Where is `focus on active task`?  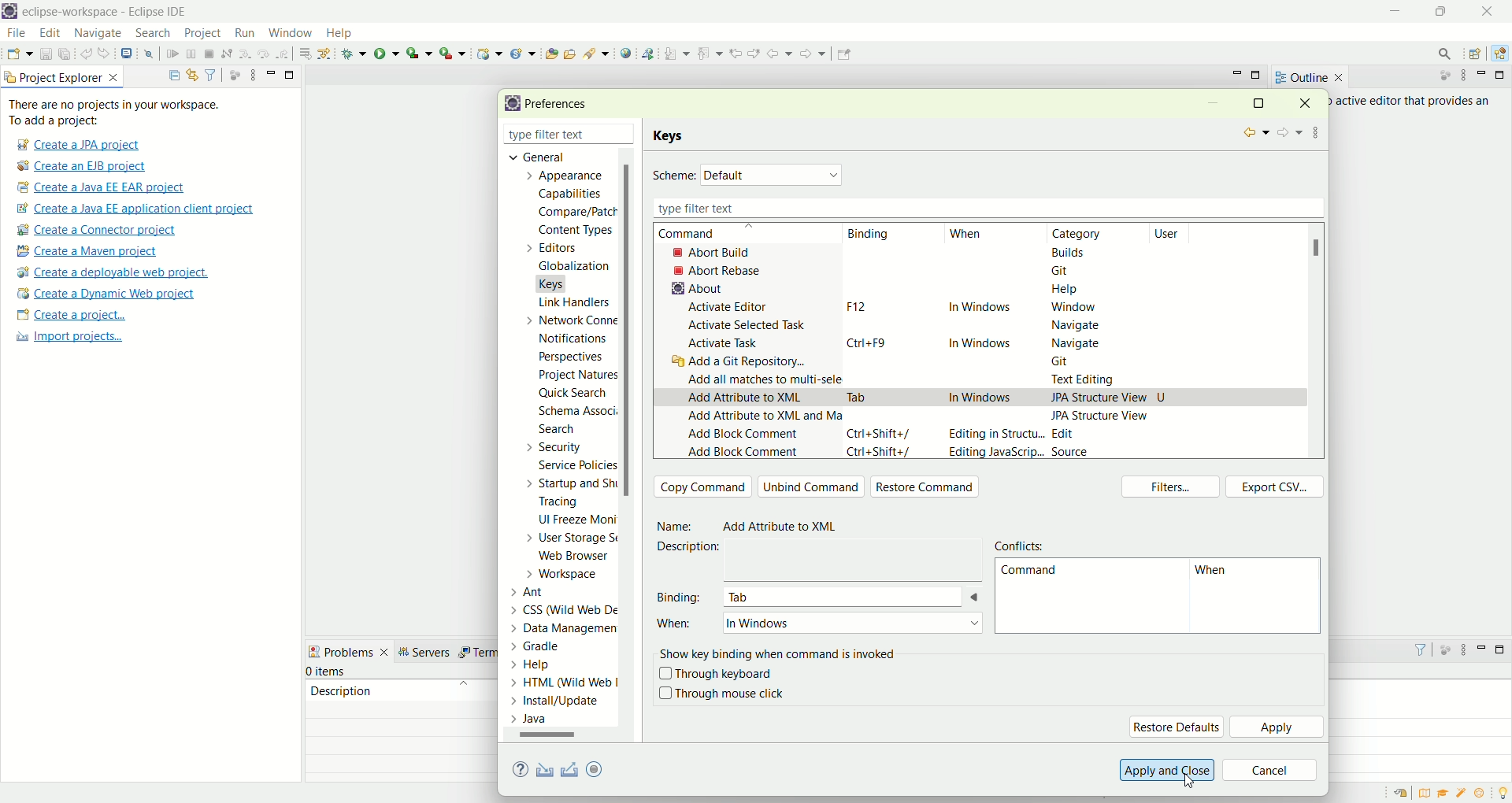 focus on active task is located at coordinates (233, 74).